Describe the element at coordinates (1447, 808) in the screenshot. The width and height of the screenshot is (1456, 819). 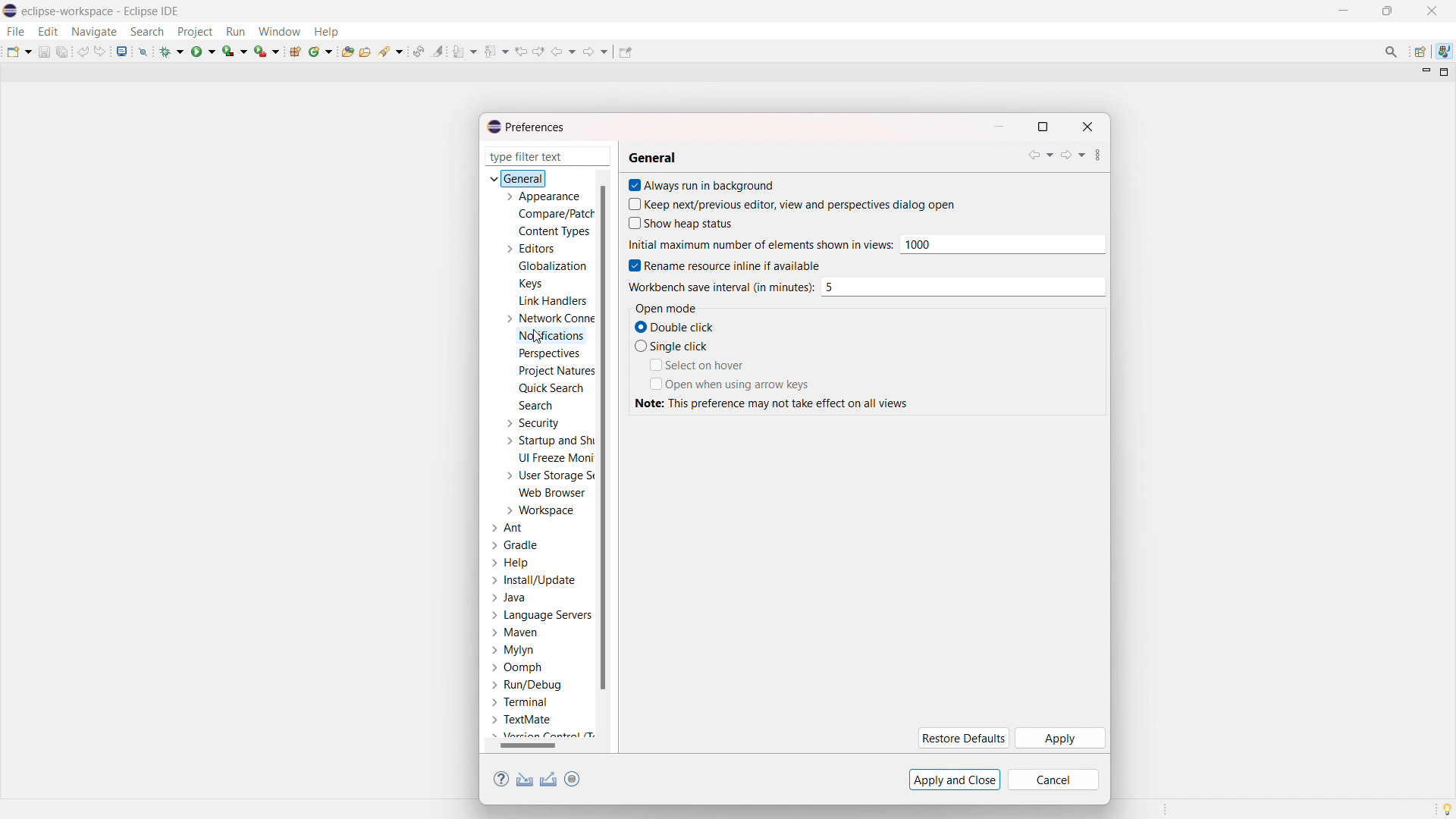
I see `tip of the day` at that location.